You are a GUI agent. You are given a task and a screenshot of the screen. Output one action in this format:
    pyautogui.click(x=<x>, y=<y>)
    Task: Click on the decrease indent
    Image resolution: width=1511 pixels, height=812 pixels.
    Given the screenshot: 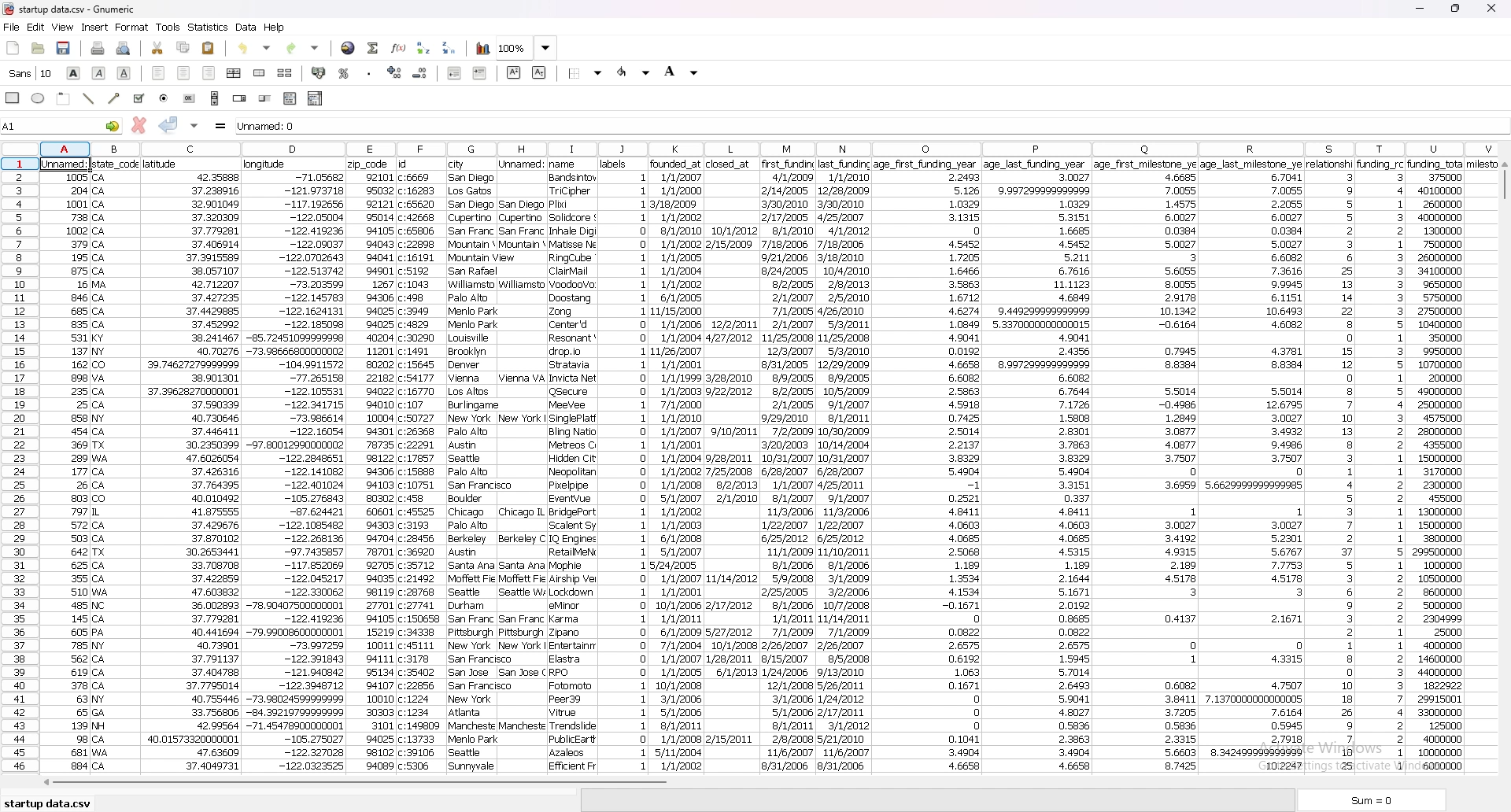 What is the action you would take?
    pyautogui.click(x=453, y=72)
    